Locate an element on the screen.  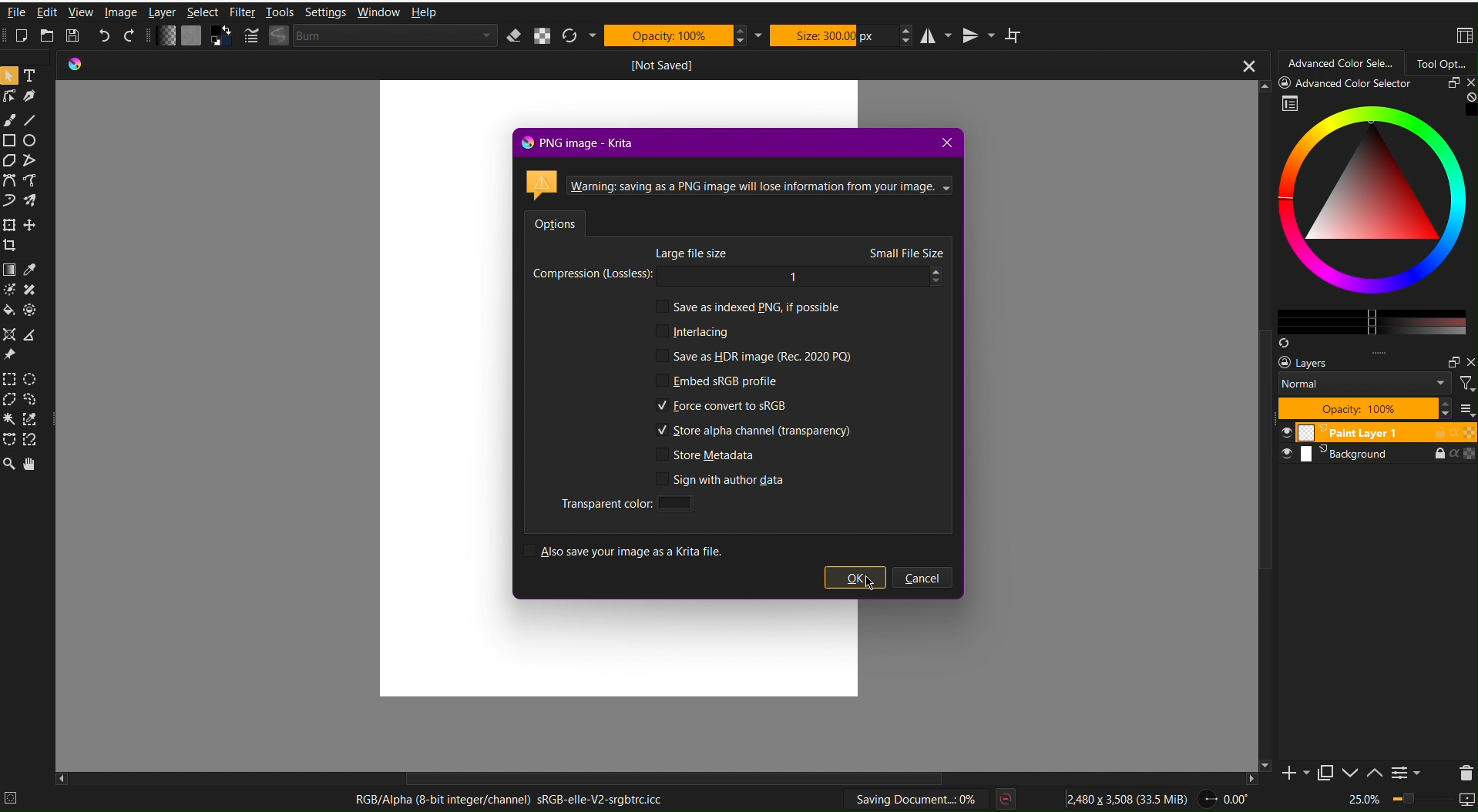
Sign with author data is located at coordinates (723, 479).